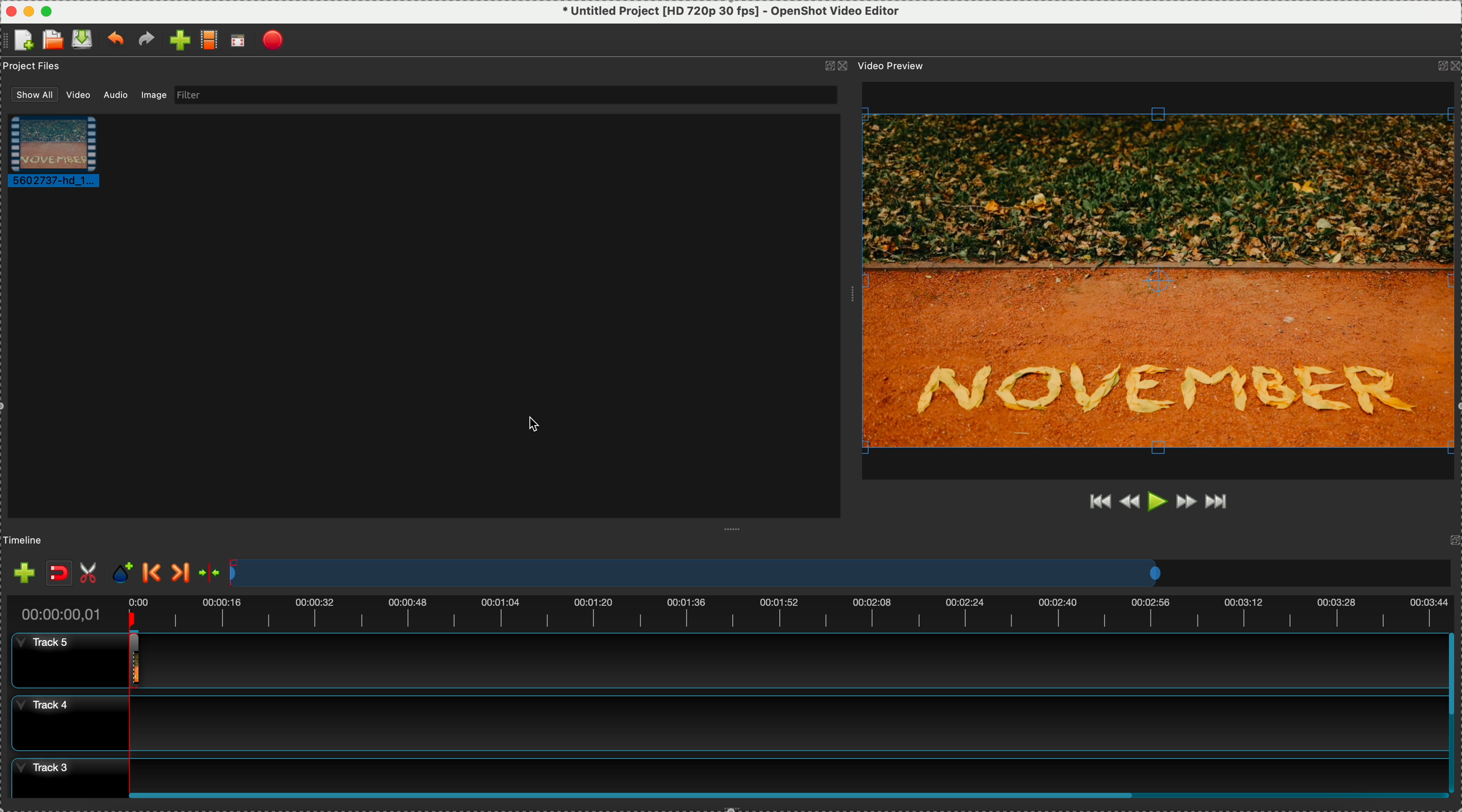 The width and height of the screenshot is (1462, 812). What do you see at coordinates (113, 96) in the screenshot?
I see `audio` at bounding box center [113, 96].